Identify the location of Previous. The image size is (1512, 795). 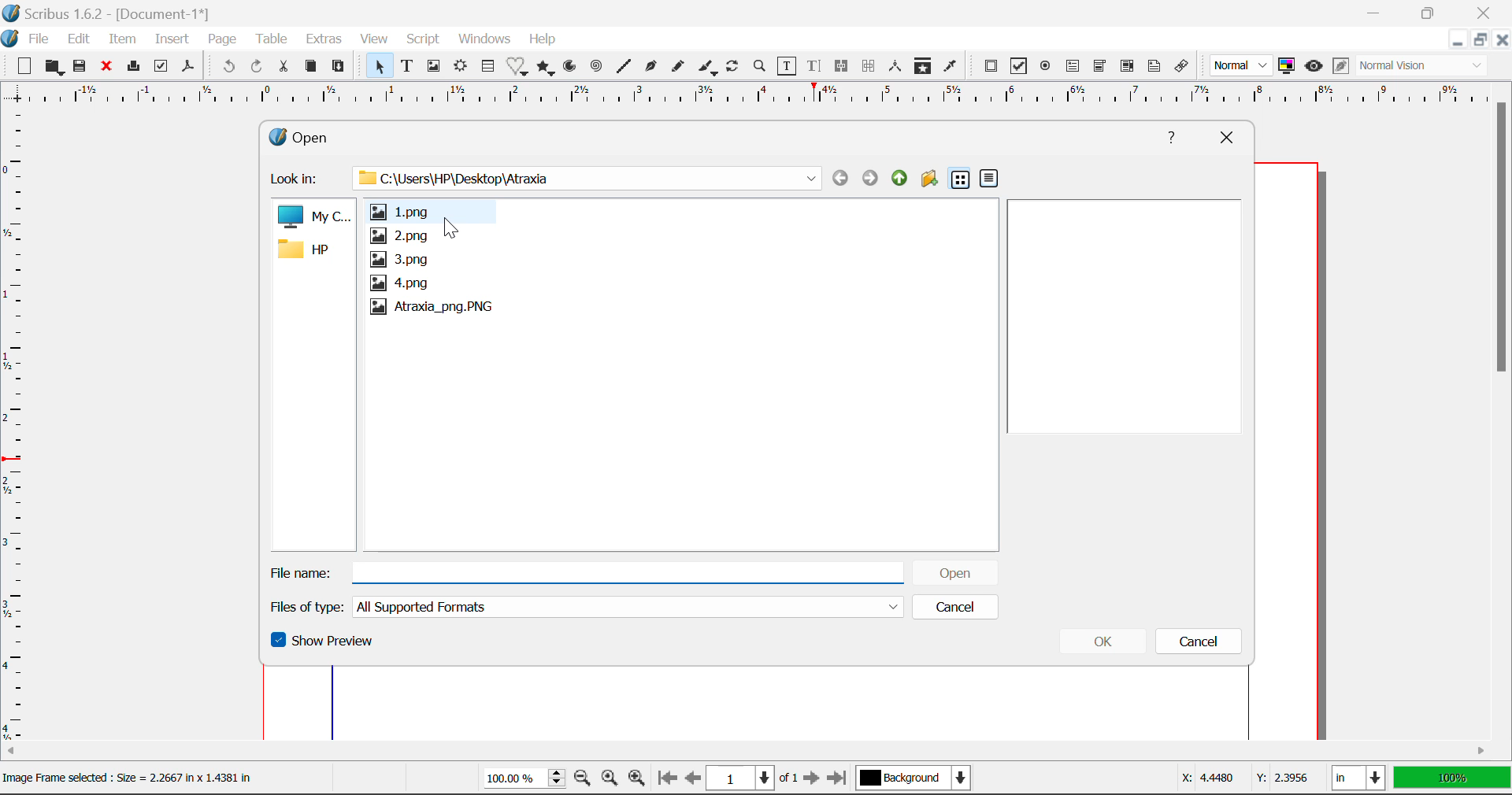
(694, 779).